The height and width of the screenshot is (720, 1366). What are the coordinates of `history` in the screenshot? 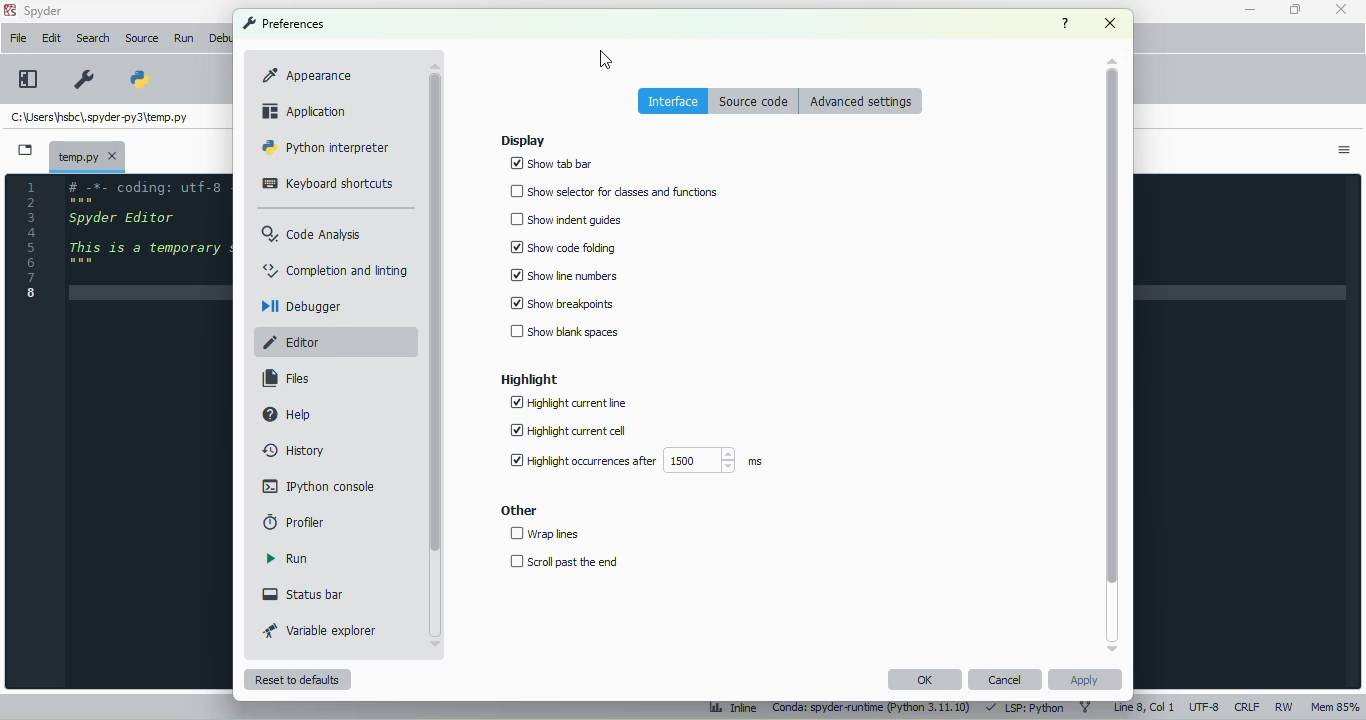 It's located at (295, 450).